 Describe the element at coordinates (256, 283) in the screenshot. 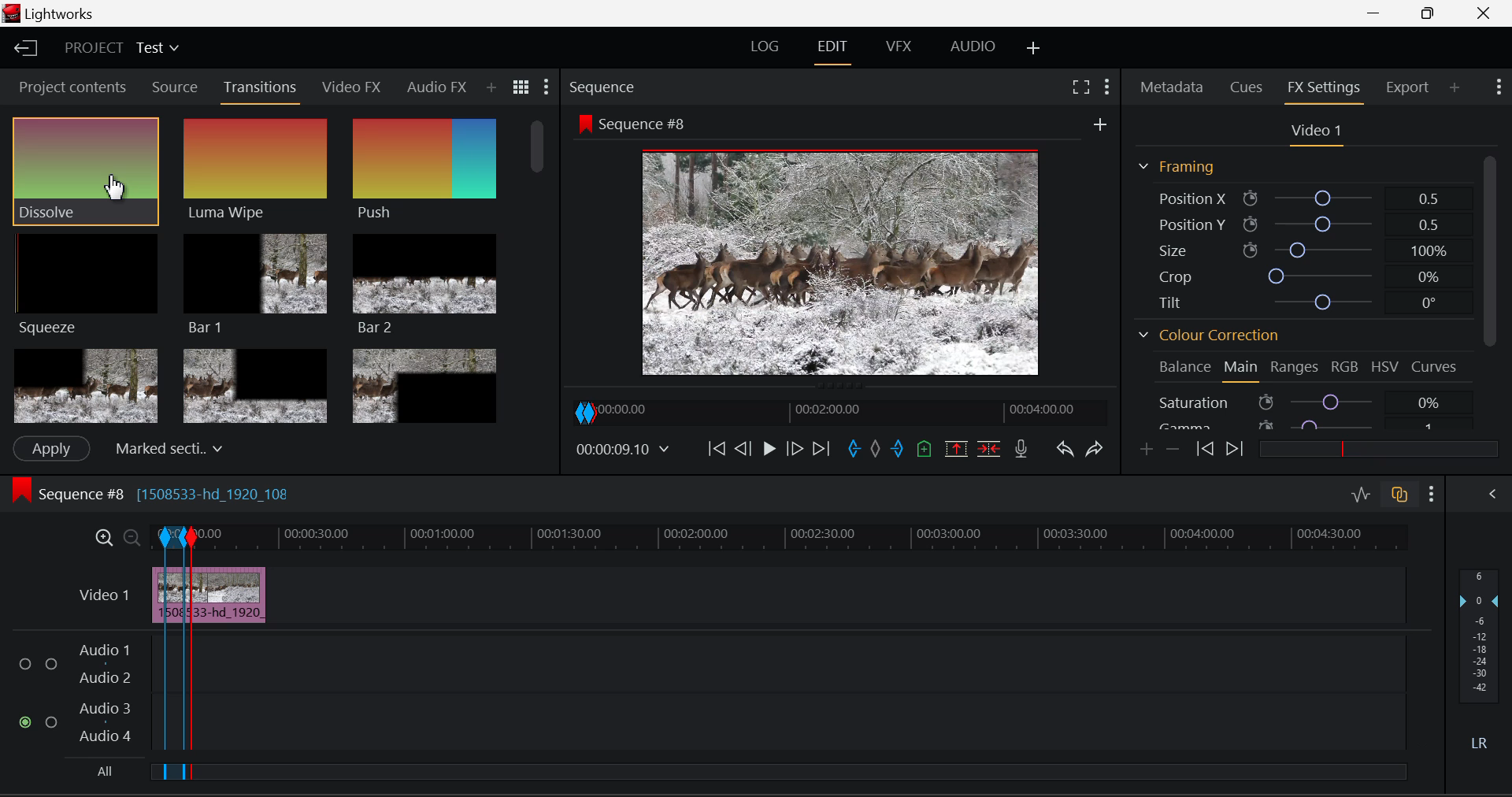

I see `Bar 1` at that location.